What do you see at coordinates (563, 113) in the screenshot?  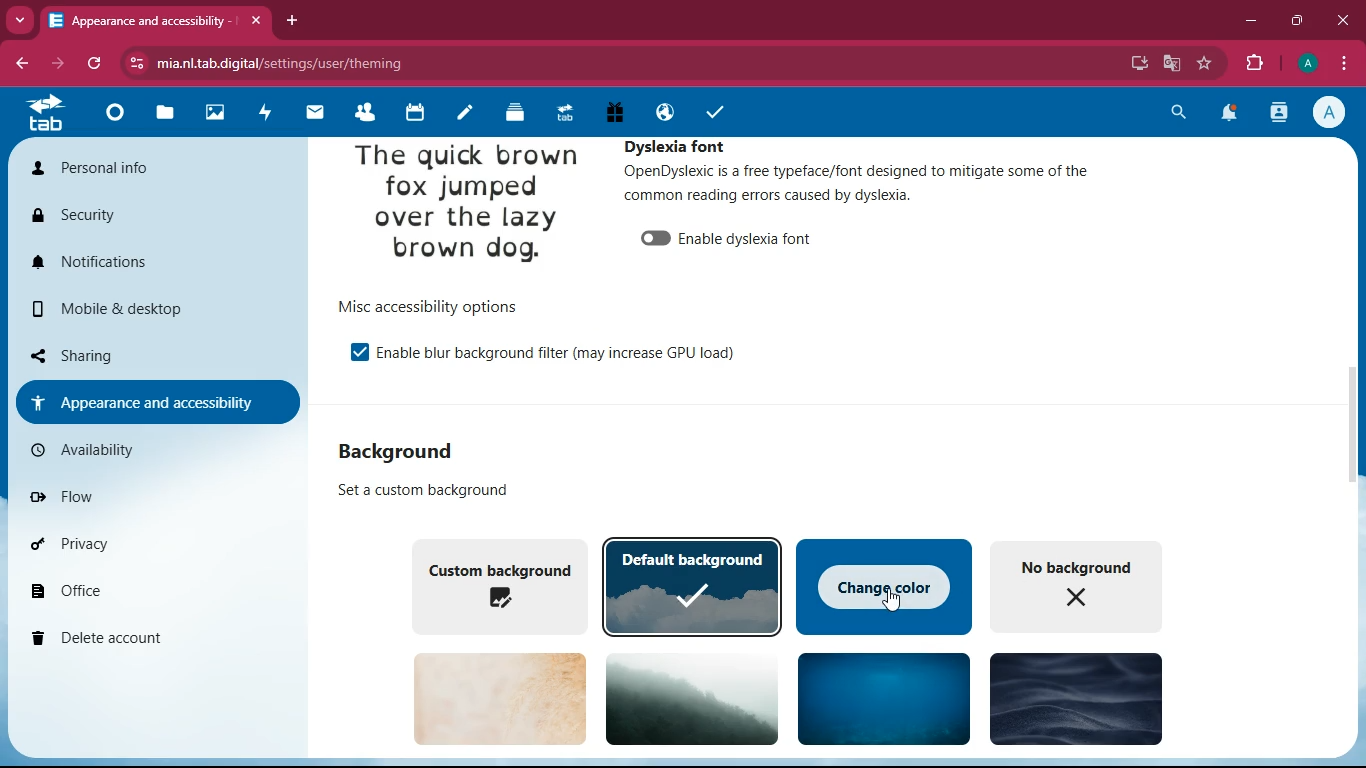 I see `tab` at bounding box center [563, 113].